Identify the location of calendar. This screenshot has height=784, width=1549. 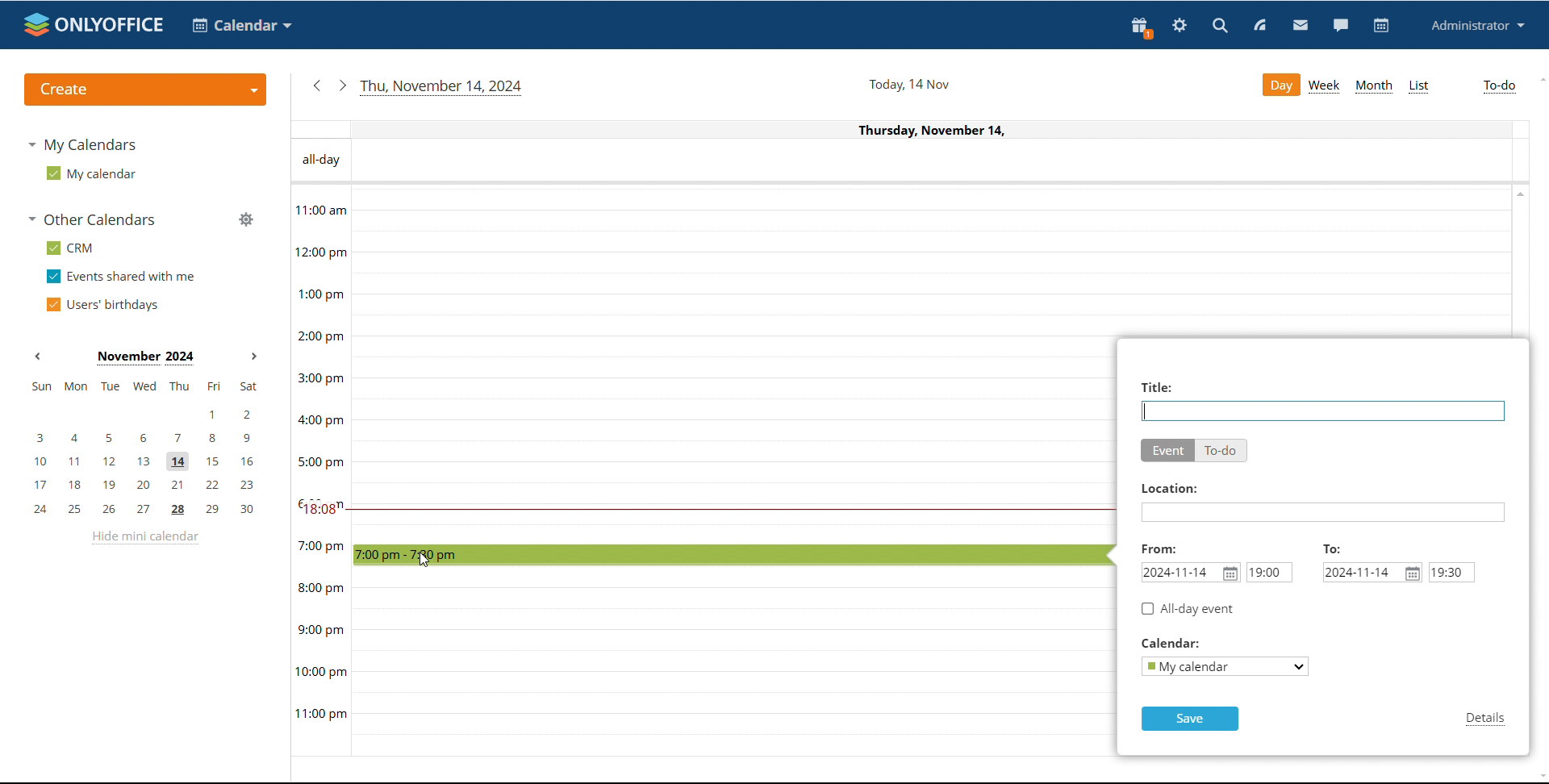
(1380, 27).